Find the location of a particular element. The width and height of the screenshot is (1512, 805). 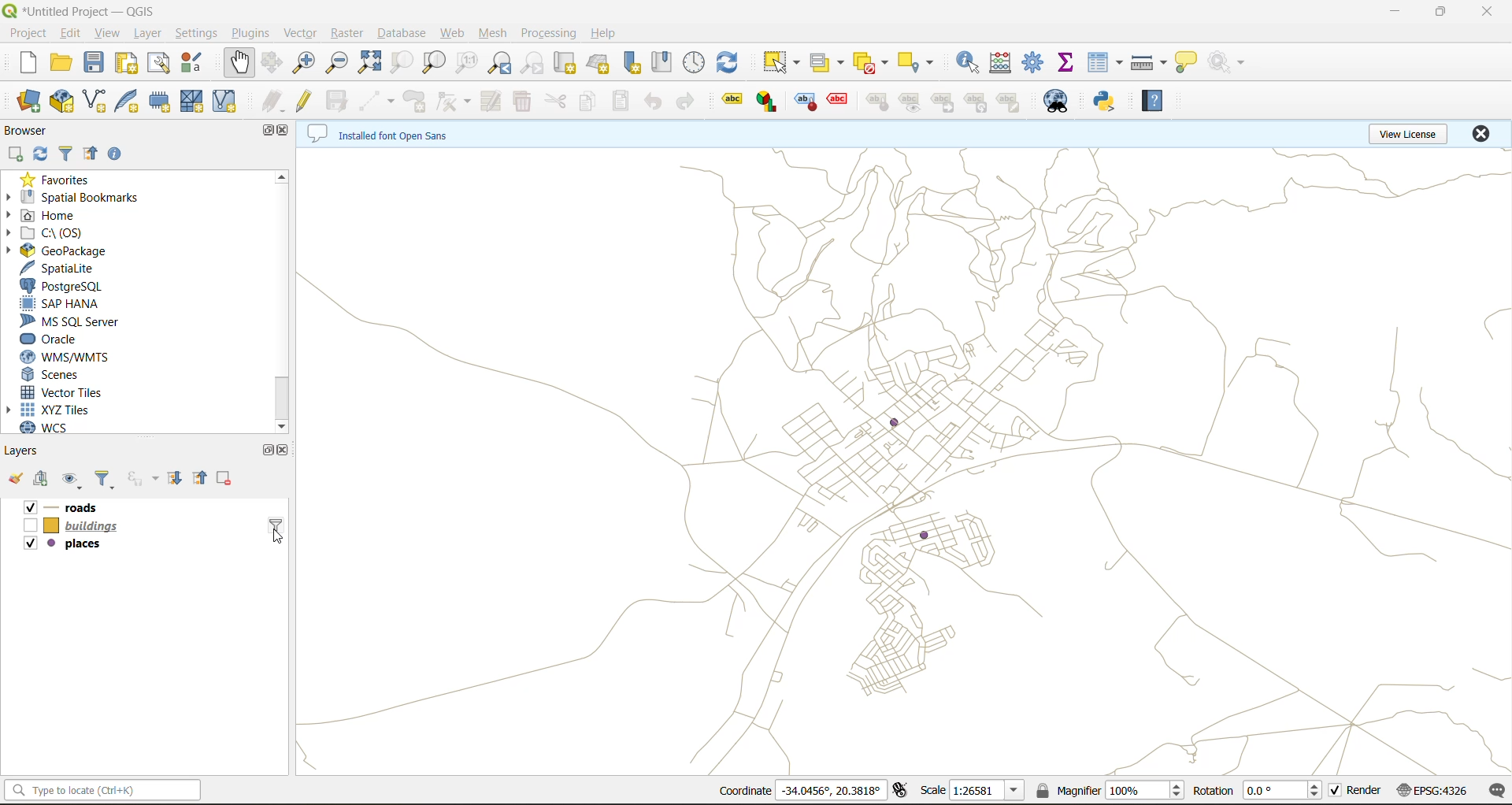

Label Placement is located at coordinates (802, 101).